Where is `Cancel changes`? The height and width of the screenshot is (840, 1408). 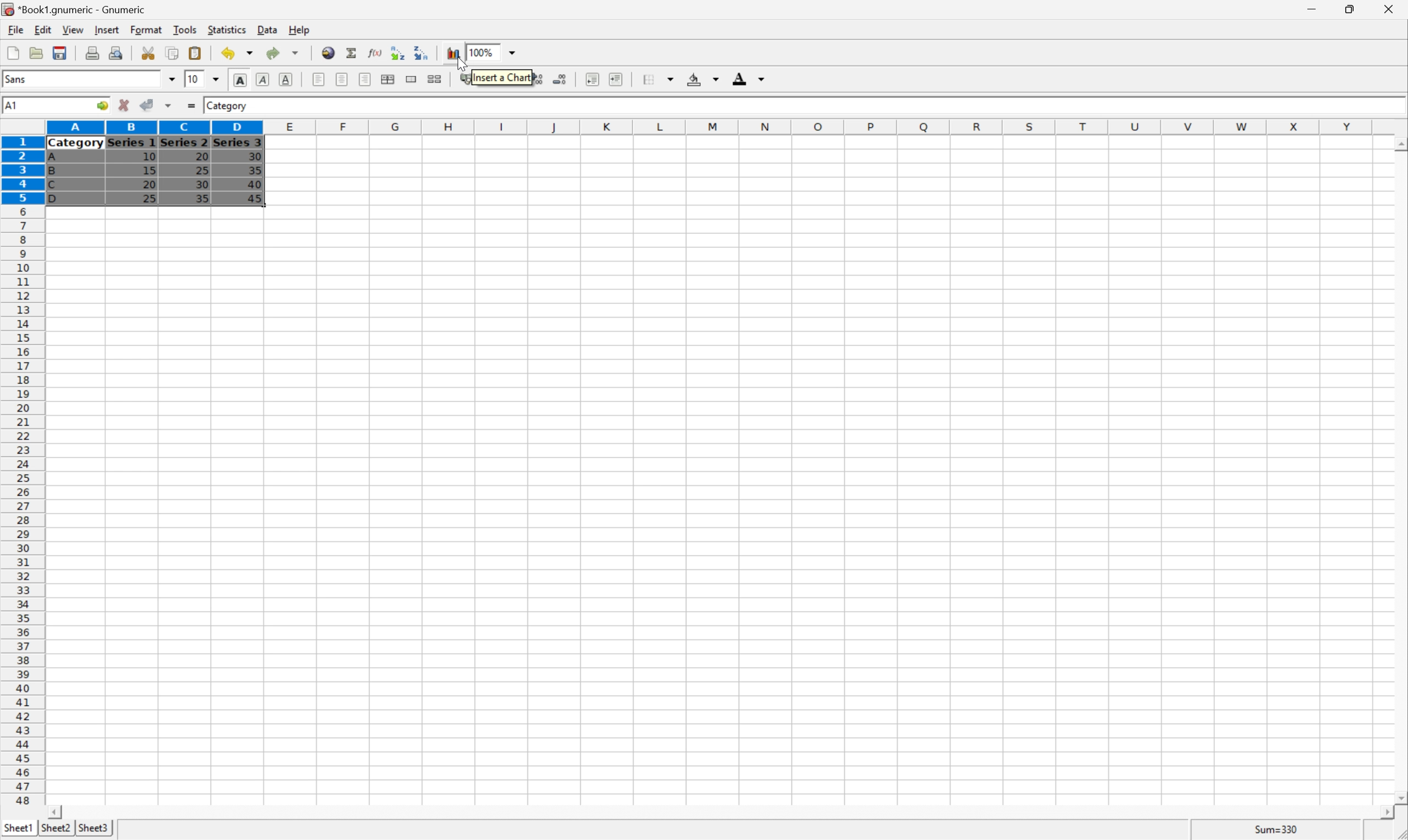
Cancel changes is located at coordinates (124, 103).